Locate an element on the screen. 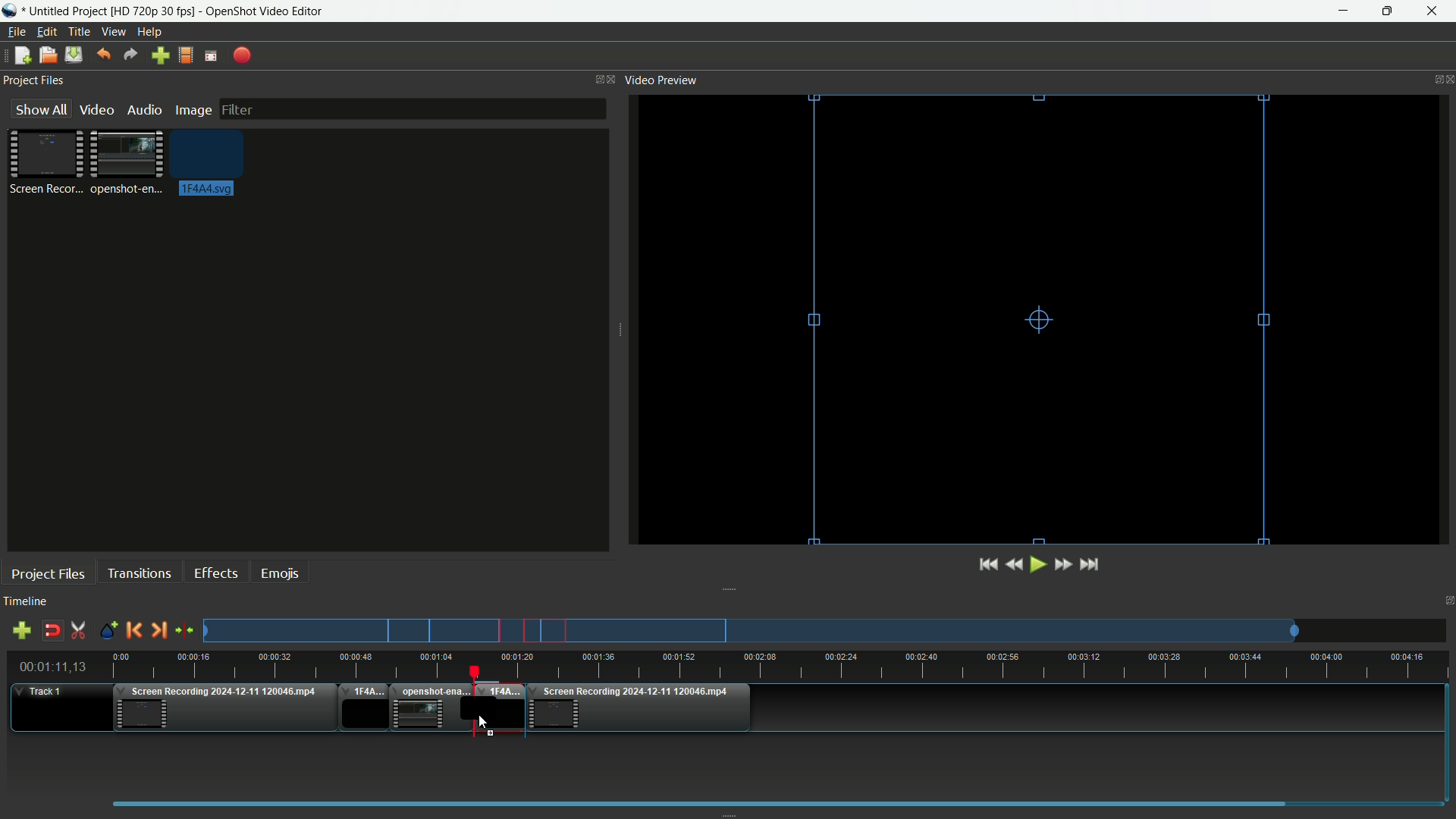 Image resolution: width=1456 pixels, height=819 pixels. minimize is located at coordinates (1348, 11).